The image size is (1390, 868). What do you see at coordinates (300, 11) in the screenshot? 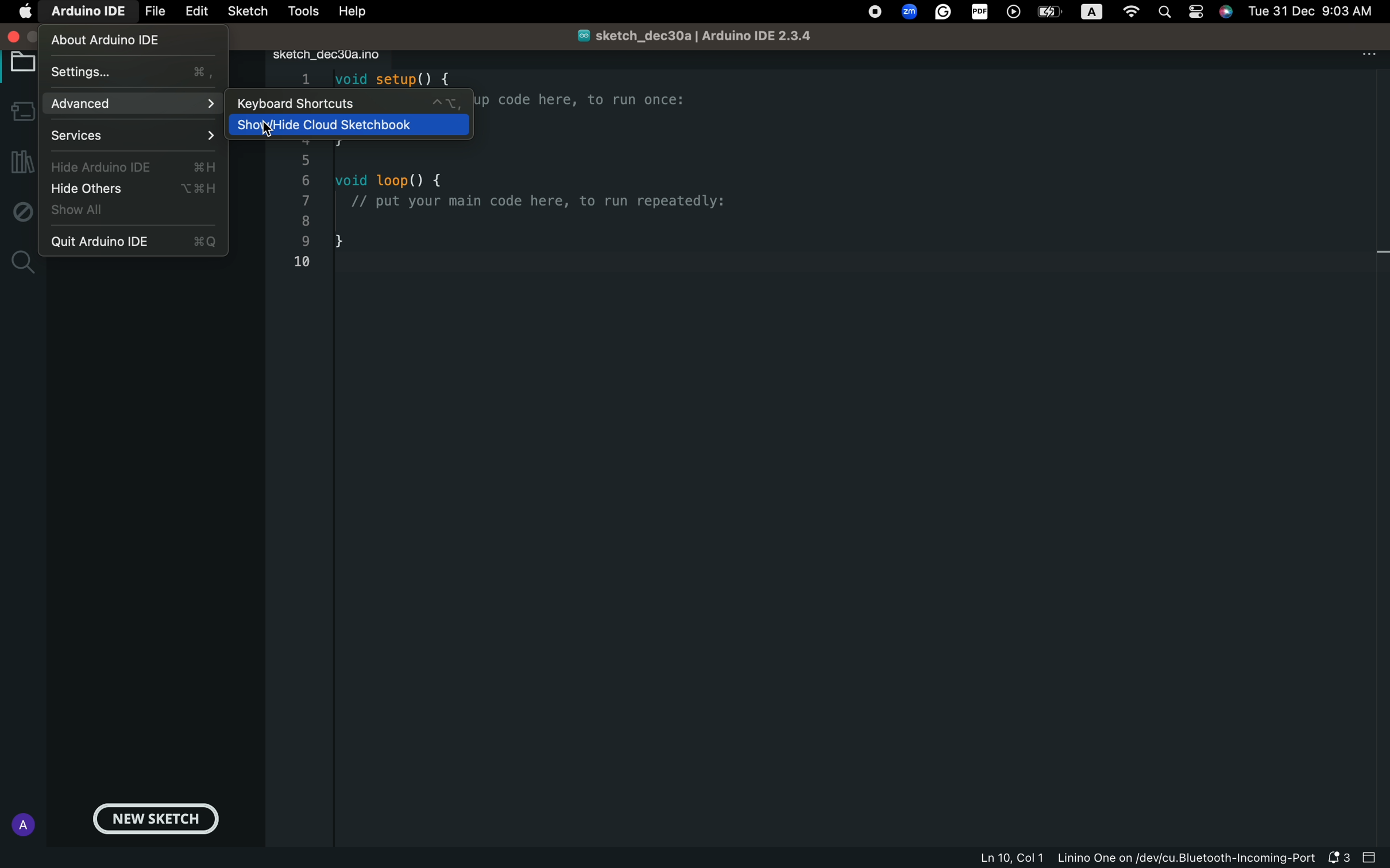
I see `tools` at bounding box center [300, 11].